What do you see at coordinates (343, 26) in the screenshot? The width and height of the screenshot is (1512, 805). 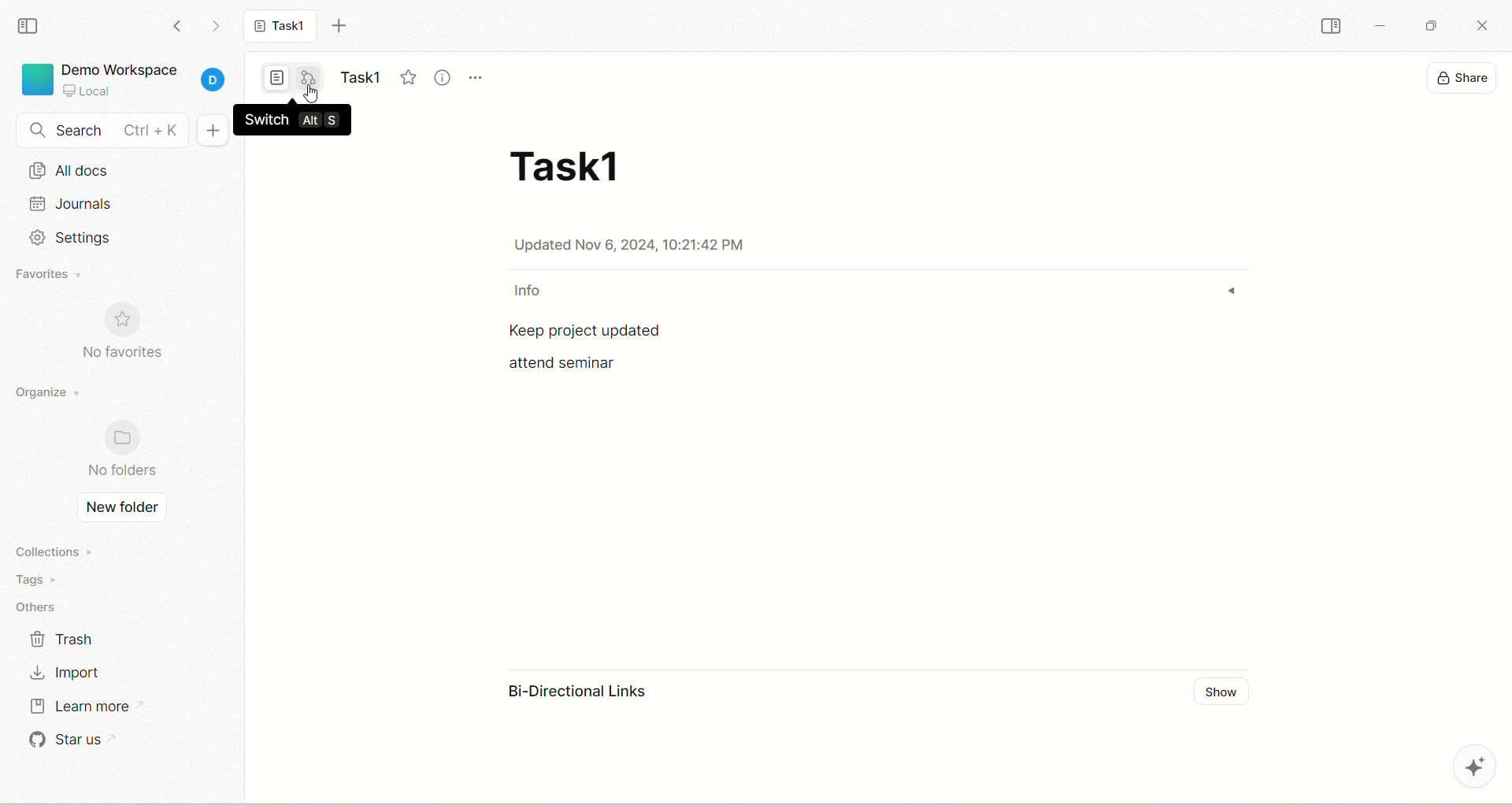 I see `new tab` at bounding box center [343, 26].